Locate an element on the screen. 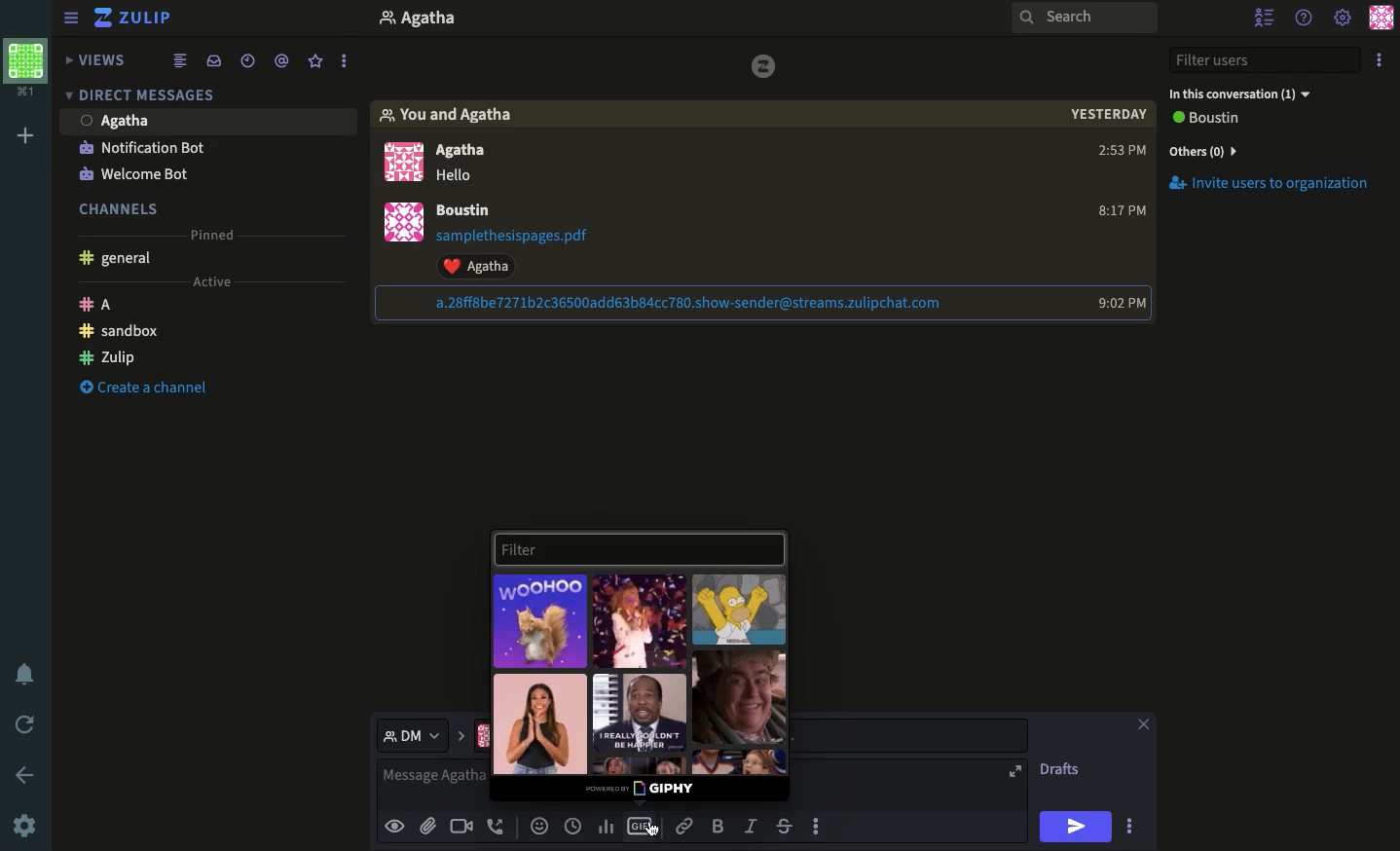 This screenshot has width=1400, height=851. Hide menu is located at coordinates (71, 18).